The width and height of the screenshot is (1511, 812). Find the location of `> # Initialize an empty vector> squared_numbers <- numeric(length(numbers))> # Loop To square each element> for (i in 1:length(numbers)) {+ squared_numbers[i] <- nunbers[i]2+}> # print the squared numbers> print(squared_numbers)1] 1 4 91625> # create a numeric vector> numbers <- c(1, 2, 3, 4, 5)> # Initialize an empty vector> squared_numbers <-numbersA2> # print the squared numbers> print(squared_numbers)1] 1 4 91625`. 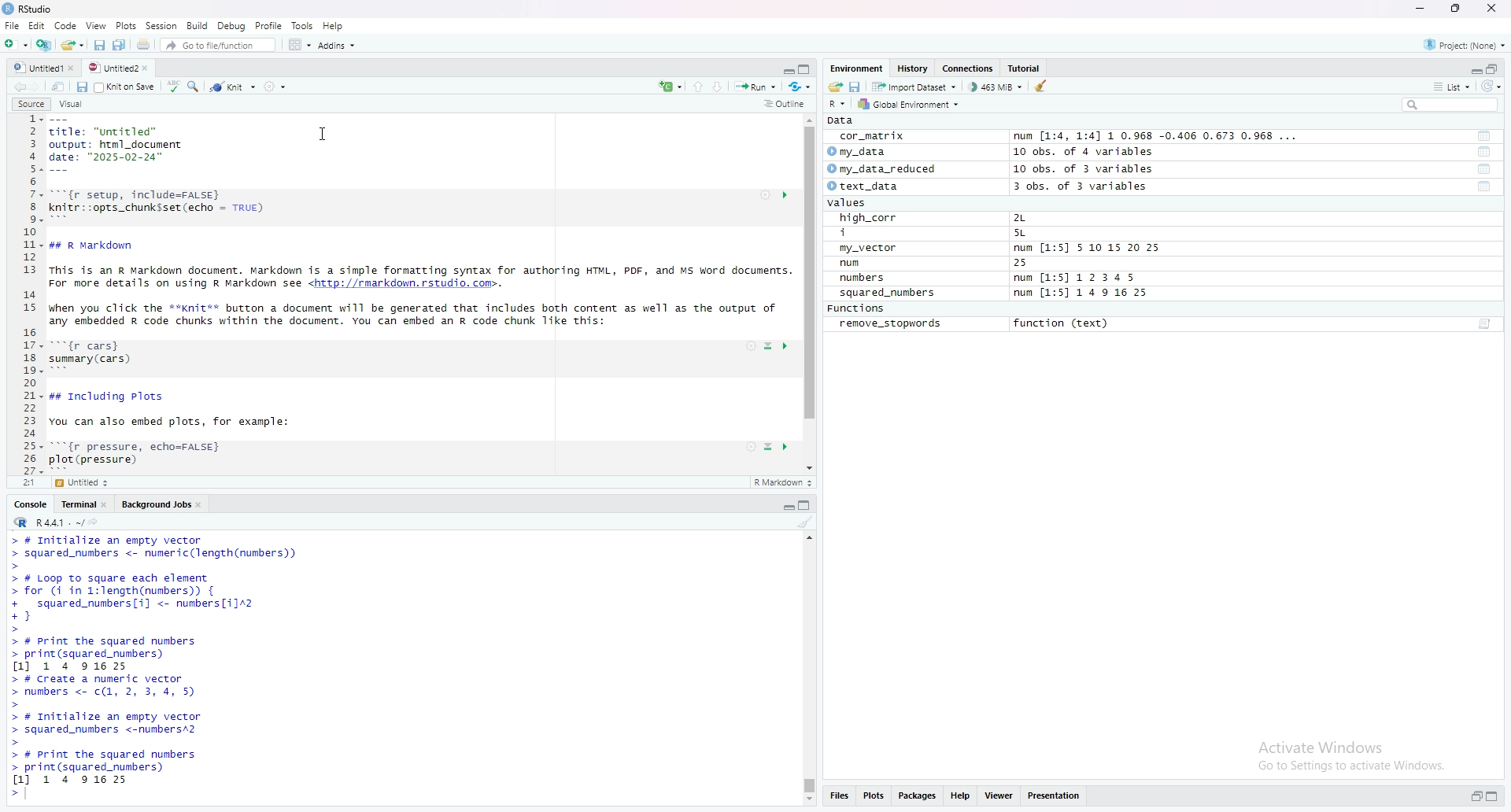

> # Initialize an empty vector> squared_numbers <- numeric(length(numbers))> # Loop To square each element> for (i in 1:length(numbers)) {+ squared_numbers[i] <- nunbers[i]2+}> # print the squared numbers> print(squared_numbers)1] 1 4 91625> # create a numeric vector> numbers <- c(1, 2, 3, 4, 5)> # Initialize an empty vector> squared_numbers <-numbersA2> # print the squared numbers> print(squared_numbers)1] 1 4 91625 is located at coordinates (168, 670).